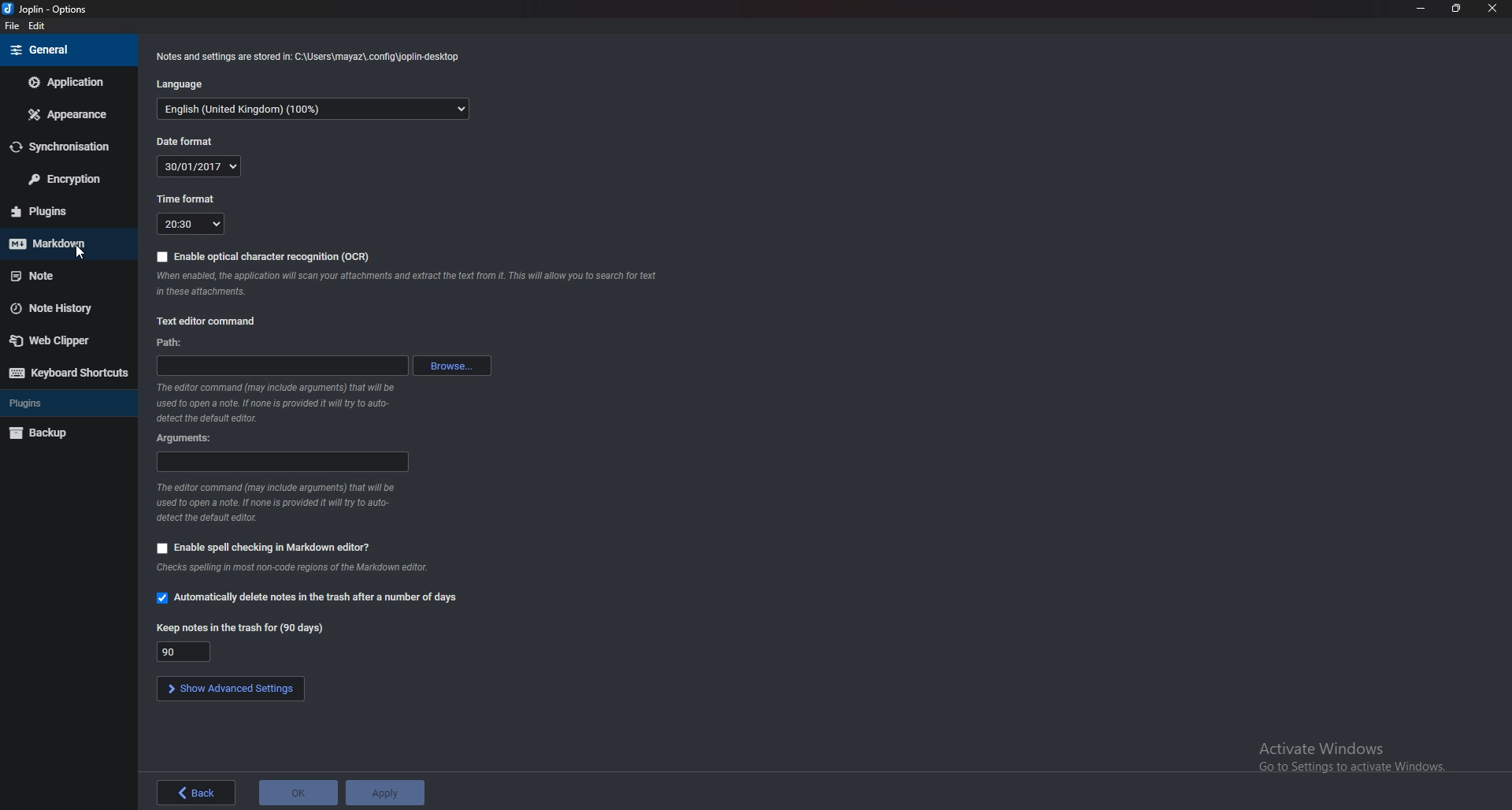 The height and width of the screenshot is (810, 1512). Describe the element at coordinates (1421, 10) in the screenshot. I see `Minimize` at that location.